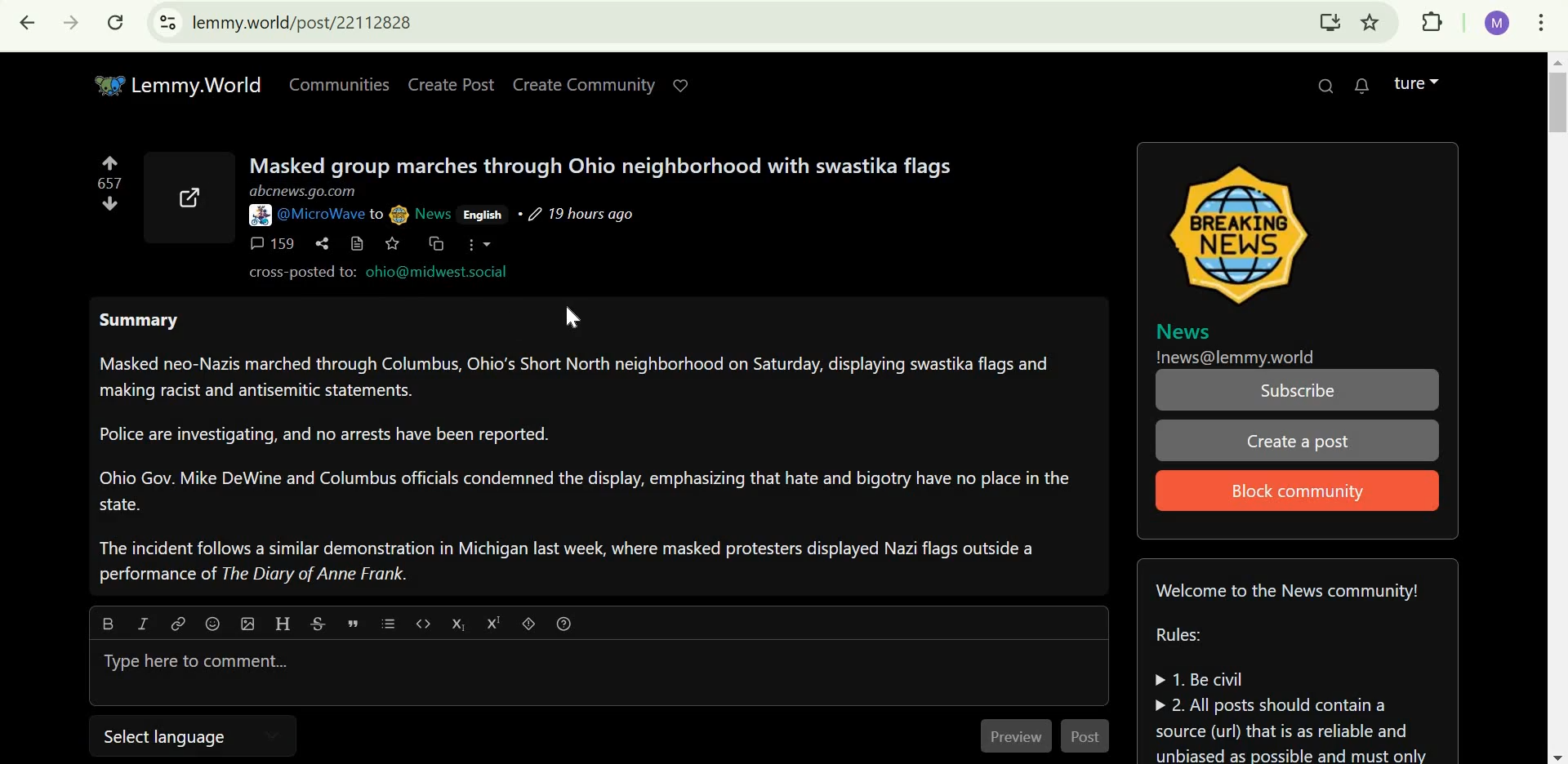  Describe the element at coordinates (257, 215) in the screenshot. I see `picture` at that location.